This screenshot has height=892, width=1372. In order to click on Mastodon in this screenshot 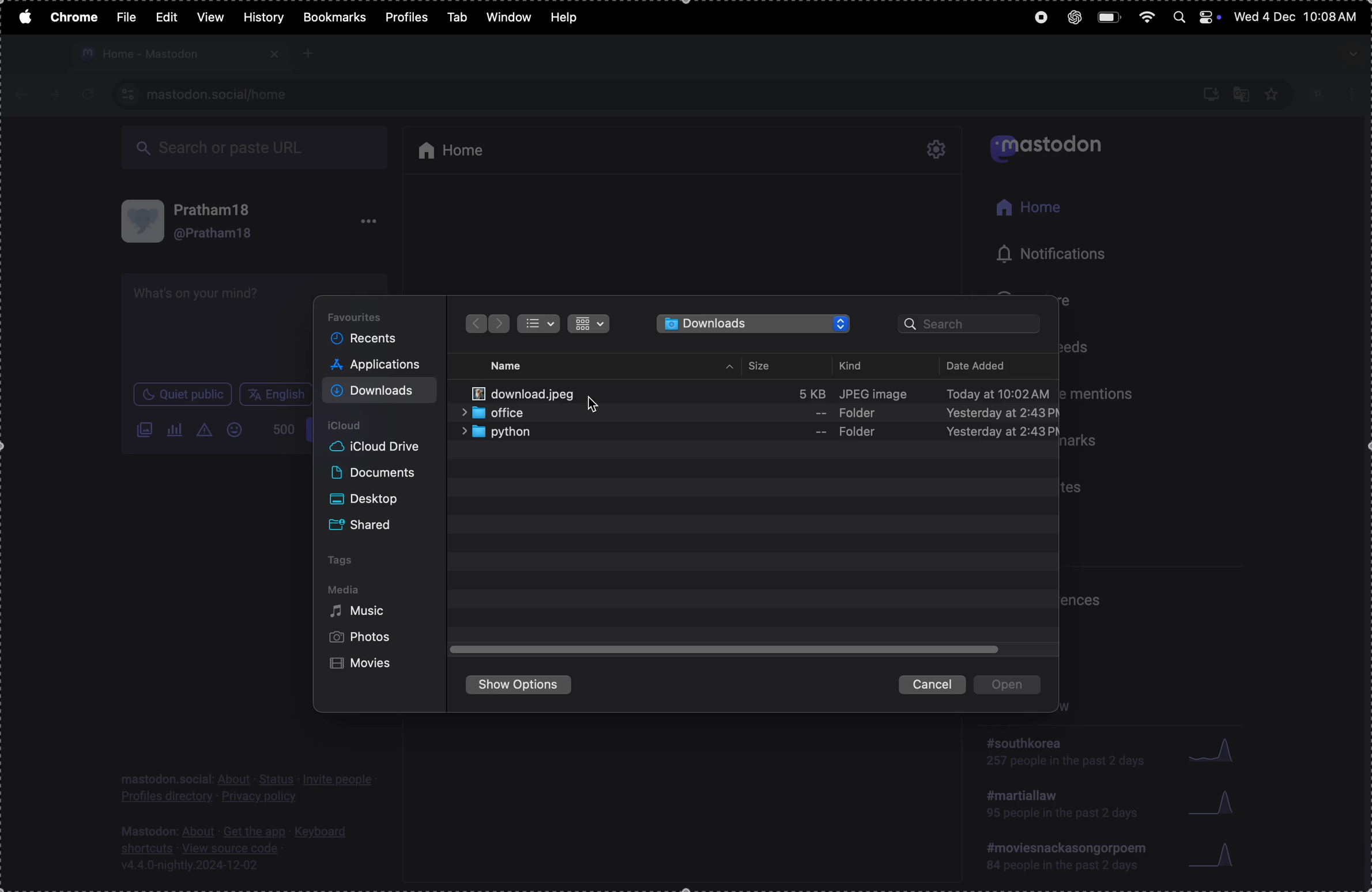, I will do `click(1053, 146)`.